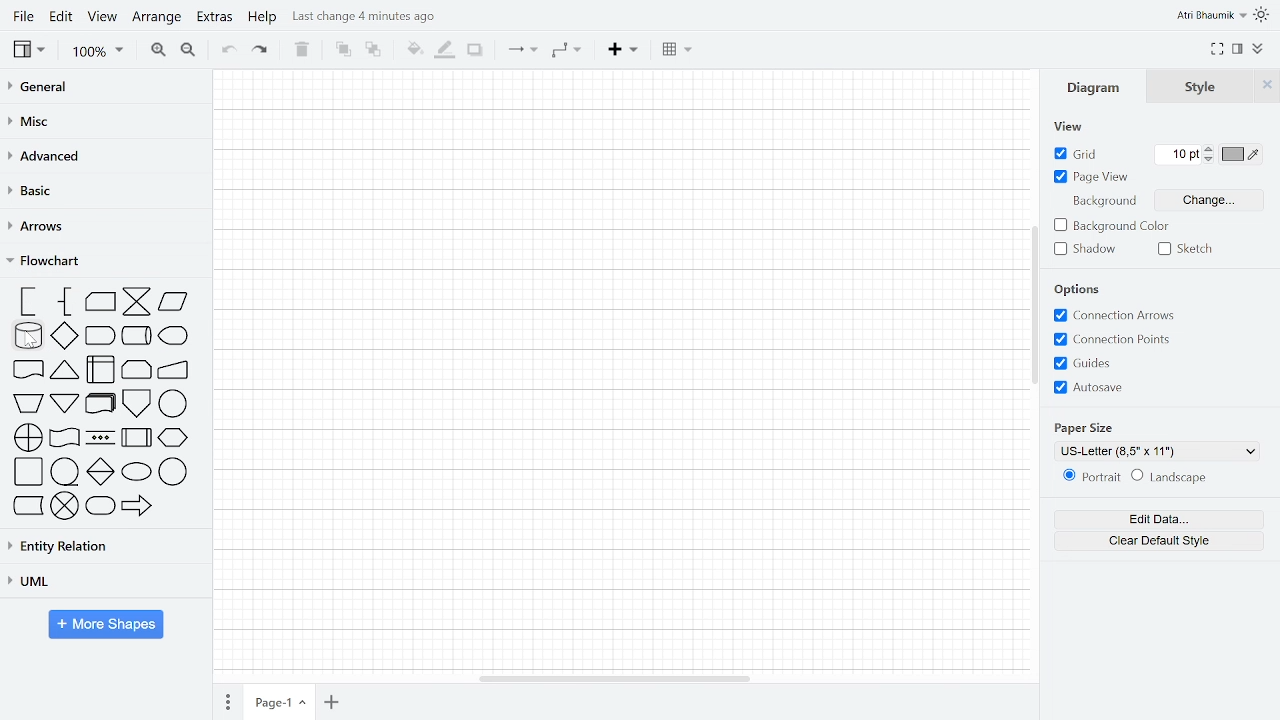 The image size is (1280, 720). I want to click on Zoom, so click(96, 52).